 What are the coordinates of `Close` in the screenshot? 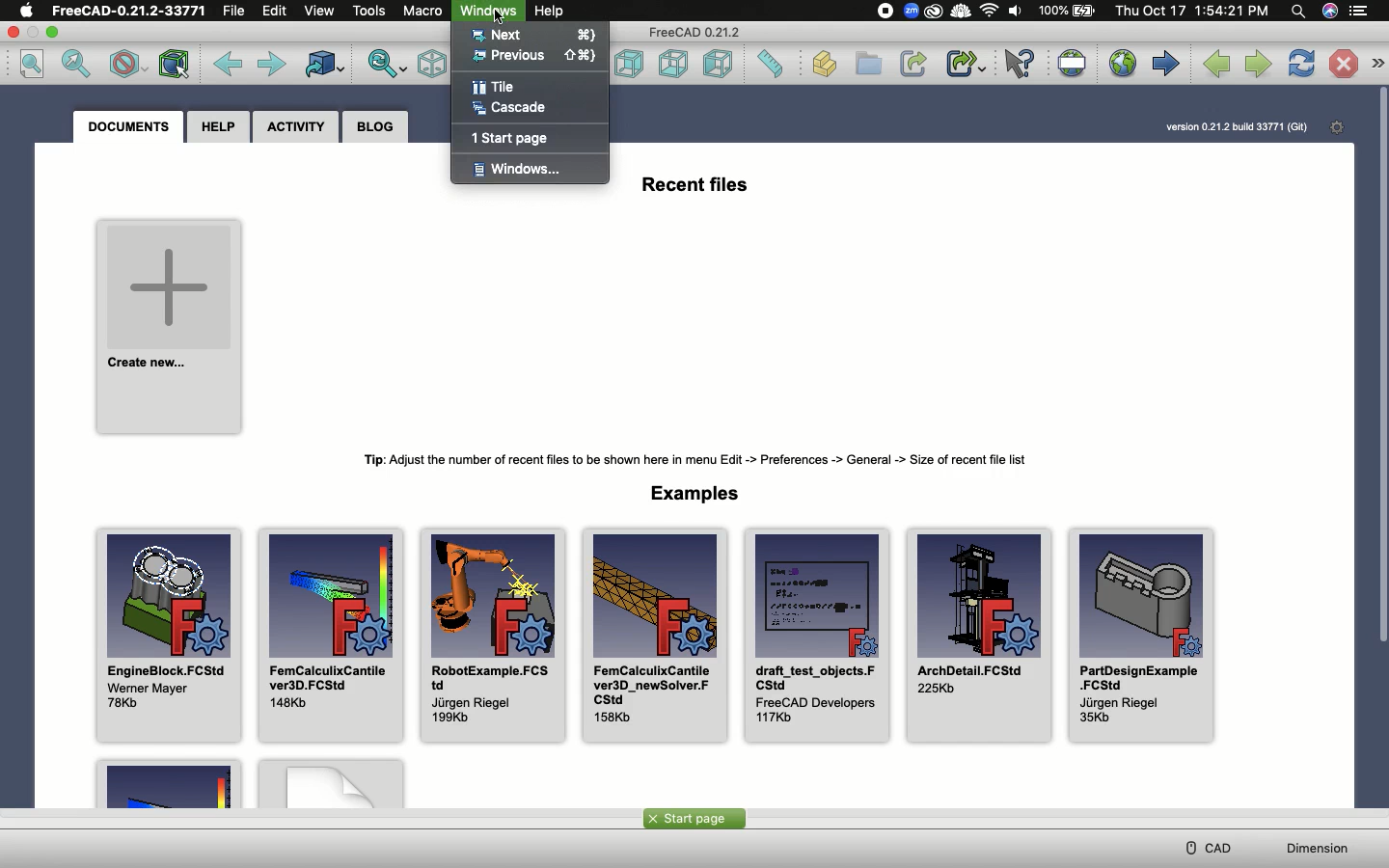 It's located at (15, 32).